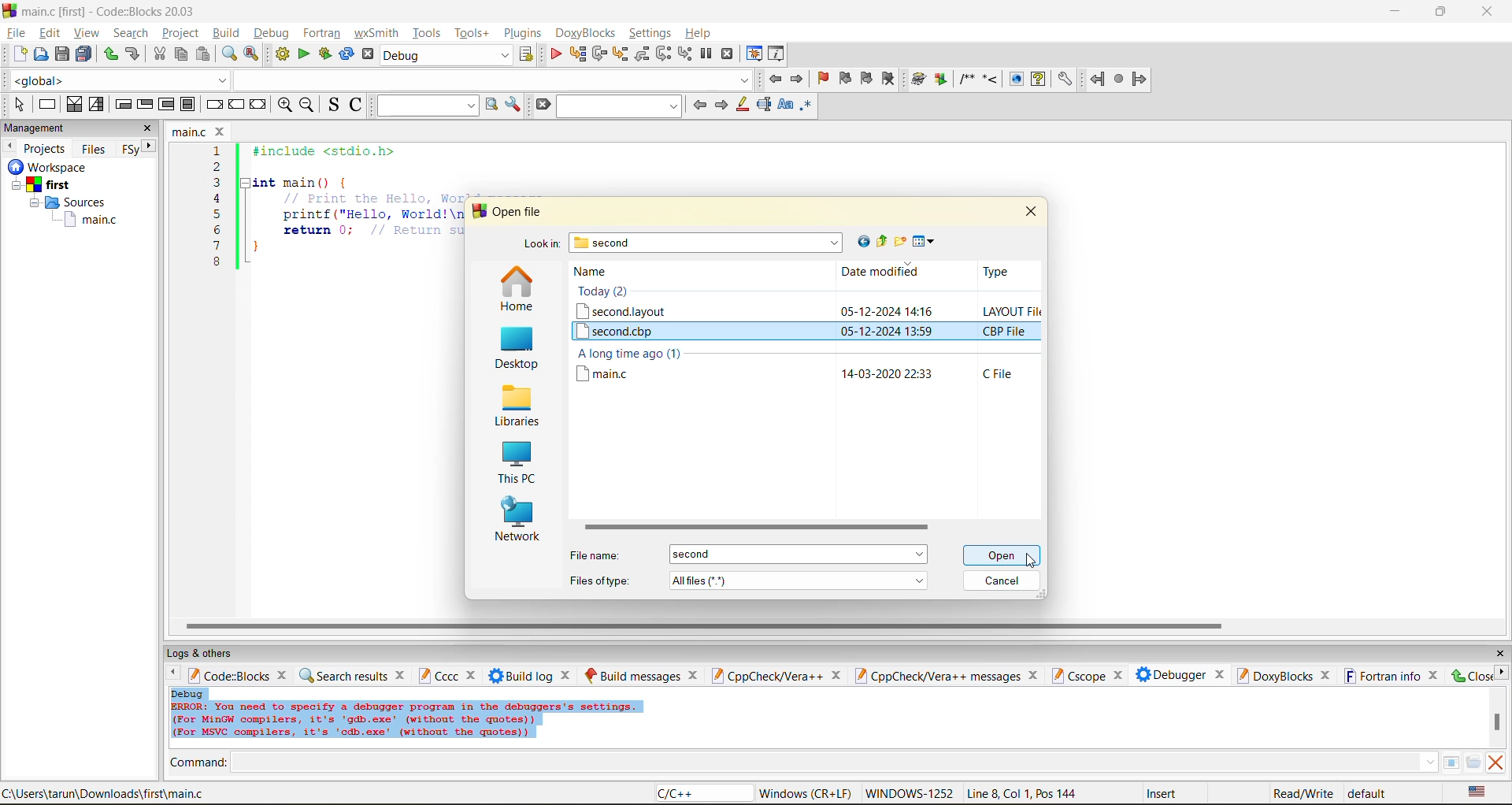 The height and width of the screenshot is (805, 1512). I want to click on run search, so click(491, 105).